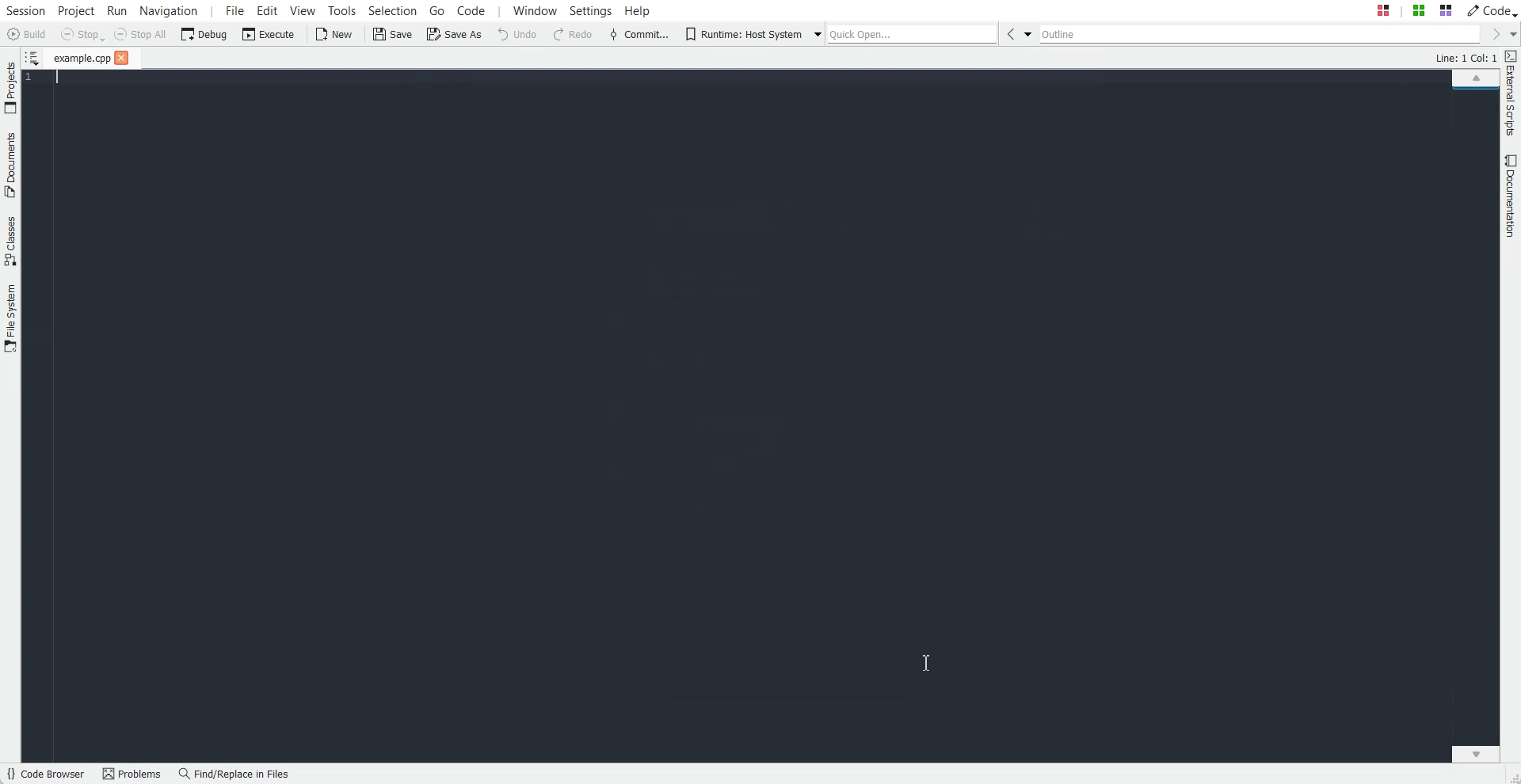  What do you see at coordinates (1511, 34) in the screenshot?
I see `Drop down box` at bounding box center [1511, 34].